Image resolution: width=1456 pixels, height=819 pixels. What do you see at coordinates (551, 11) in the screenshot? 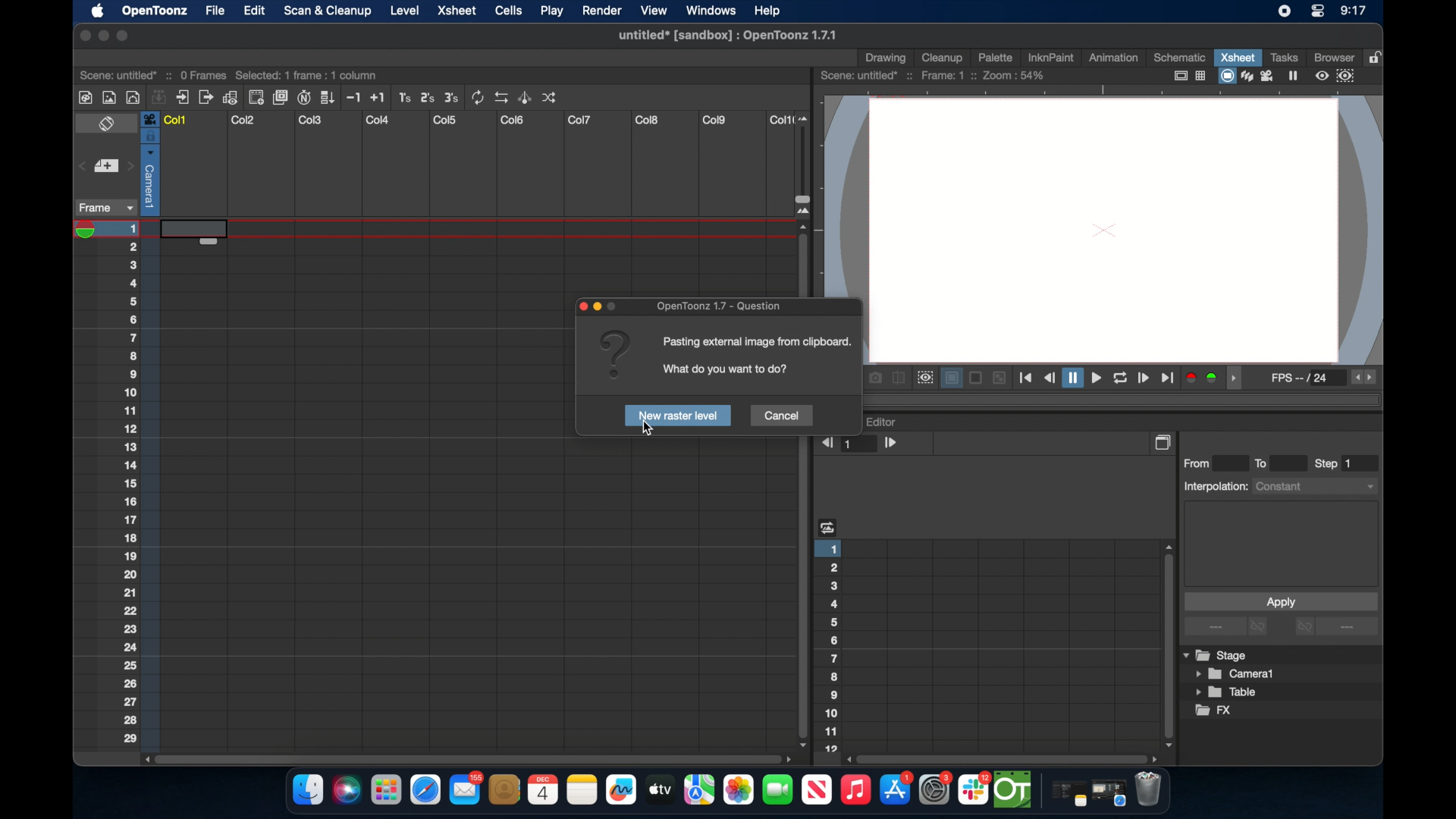
I see `play` at bounding box center [551, 11].